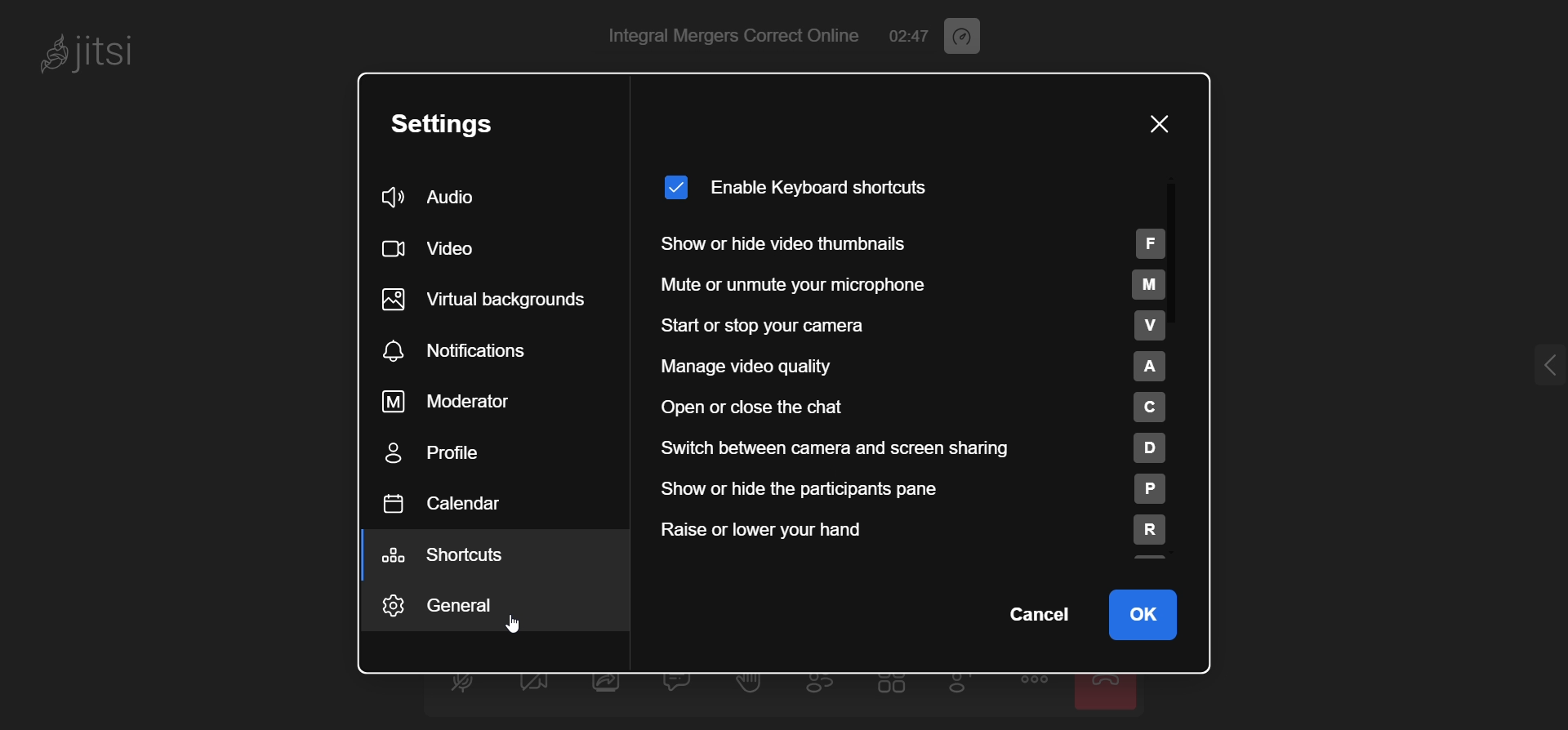  What do you see at coordinates (610, 682) in the screenshot?
I see `share your screen` at bounding box center [610, 682].